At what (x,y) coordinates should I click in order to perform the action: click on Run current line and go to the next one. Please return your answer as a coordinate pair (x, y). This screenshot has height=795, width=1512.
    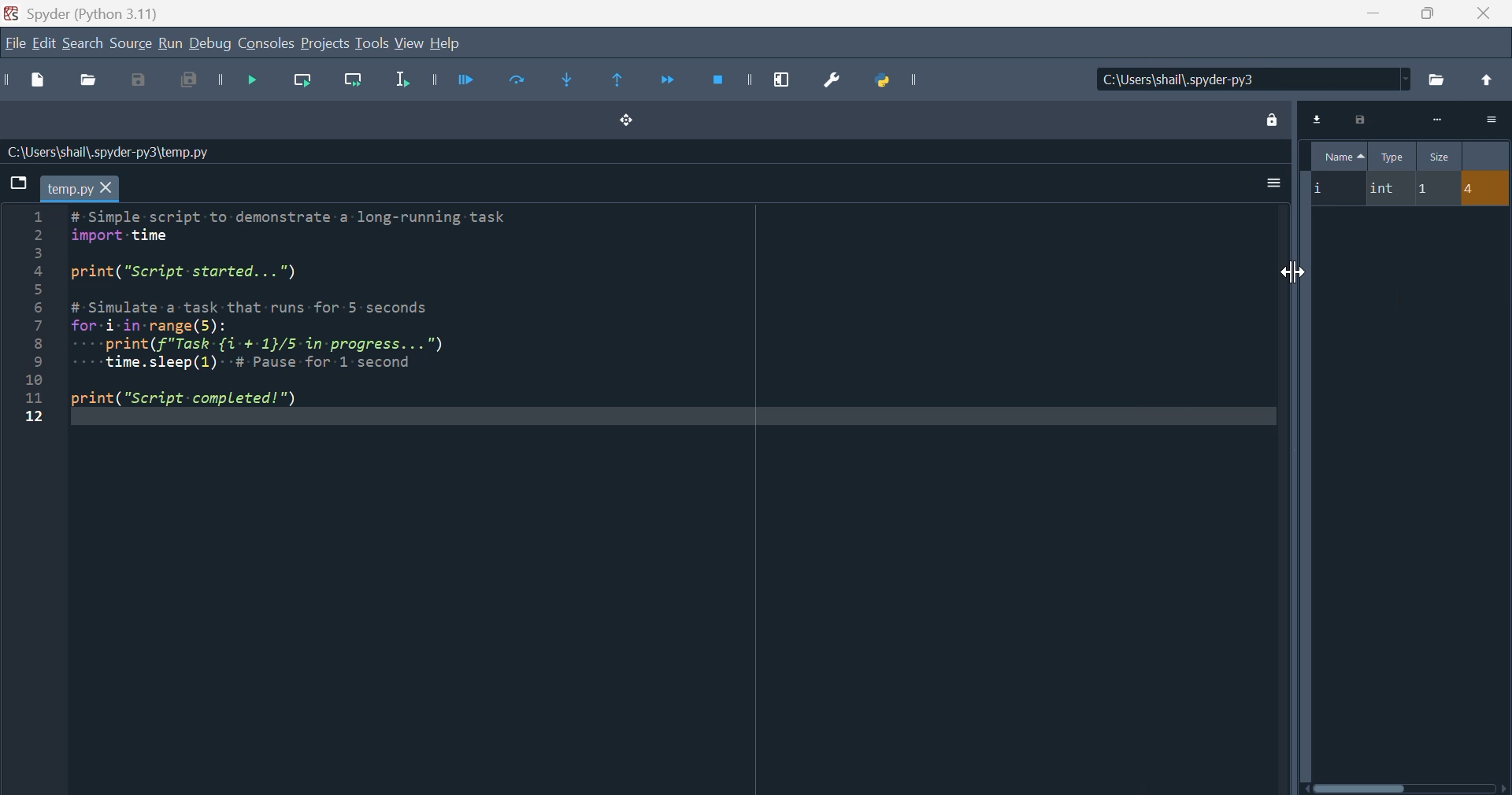
    Looking at the image, I should click on (352, 85).